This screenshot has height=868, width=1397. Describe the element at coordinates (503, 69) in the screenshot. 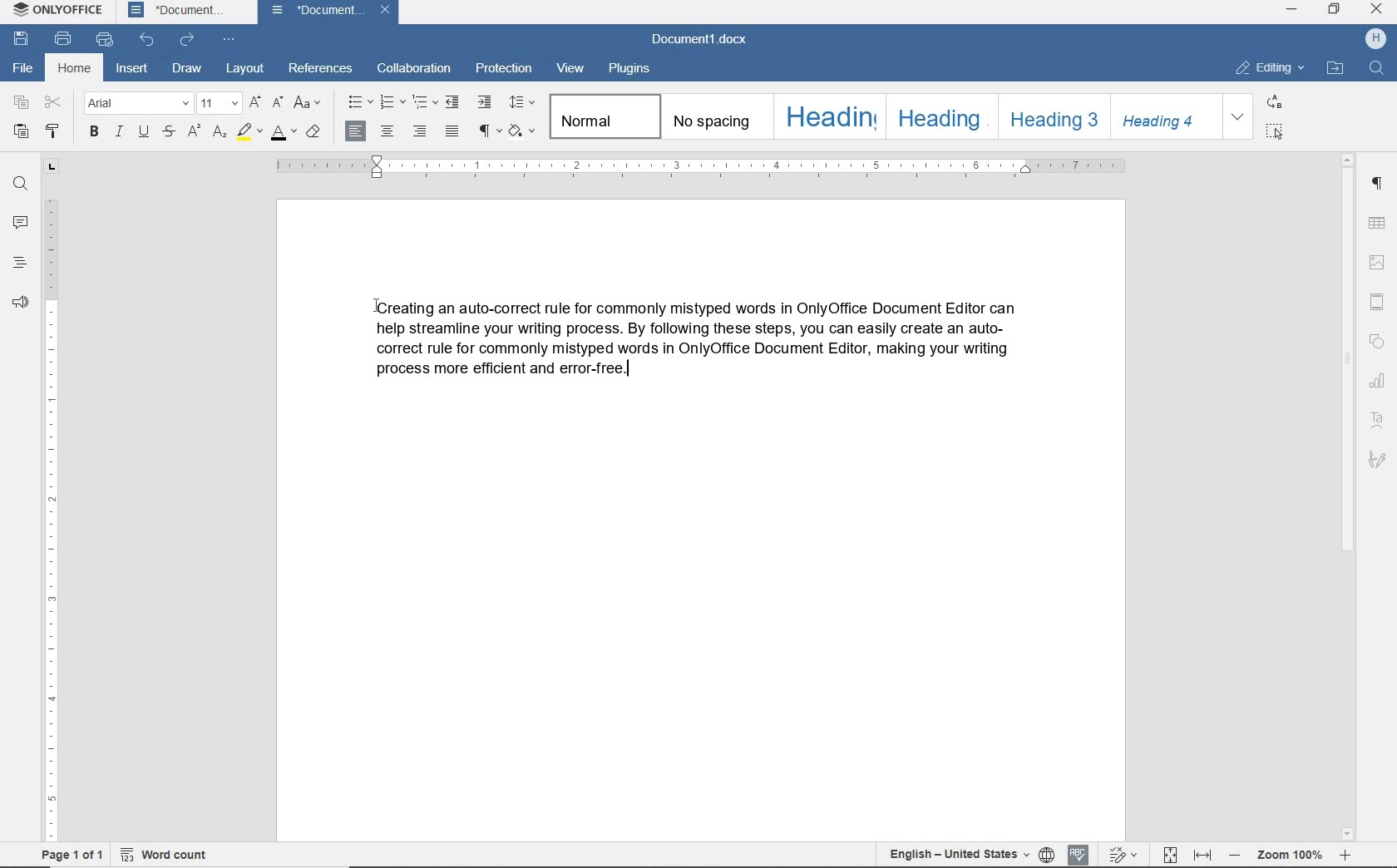

I see `protection` at that location.